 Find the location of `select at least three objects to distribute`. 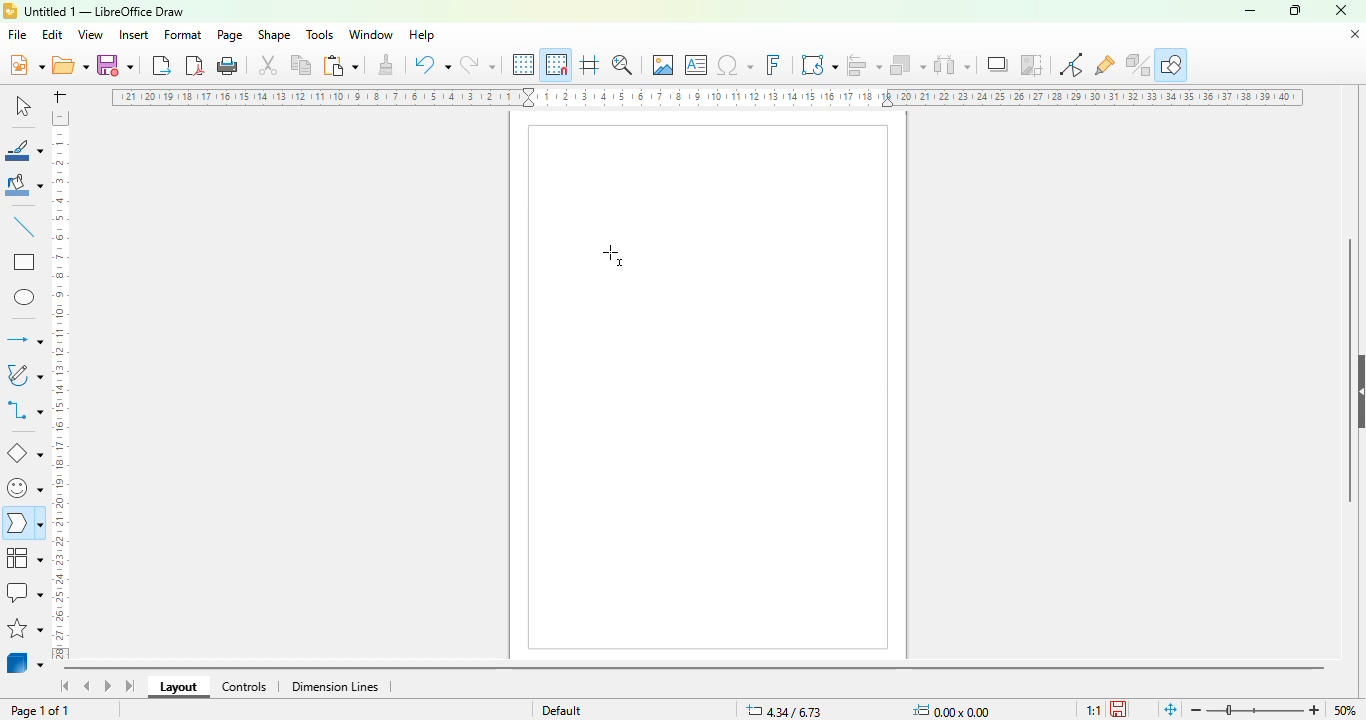

select at least three objects to distribute is located at coordinates (952, 64).